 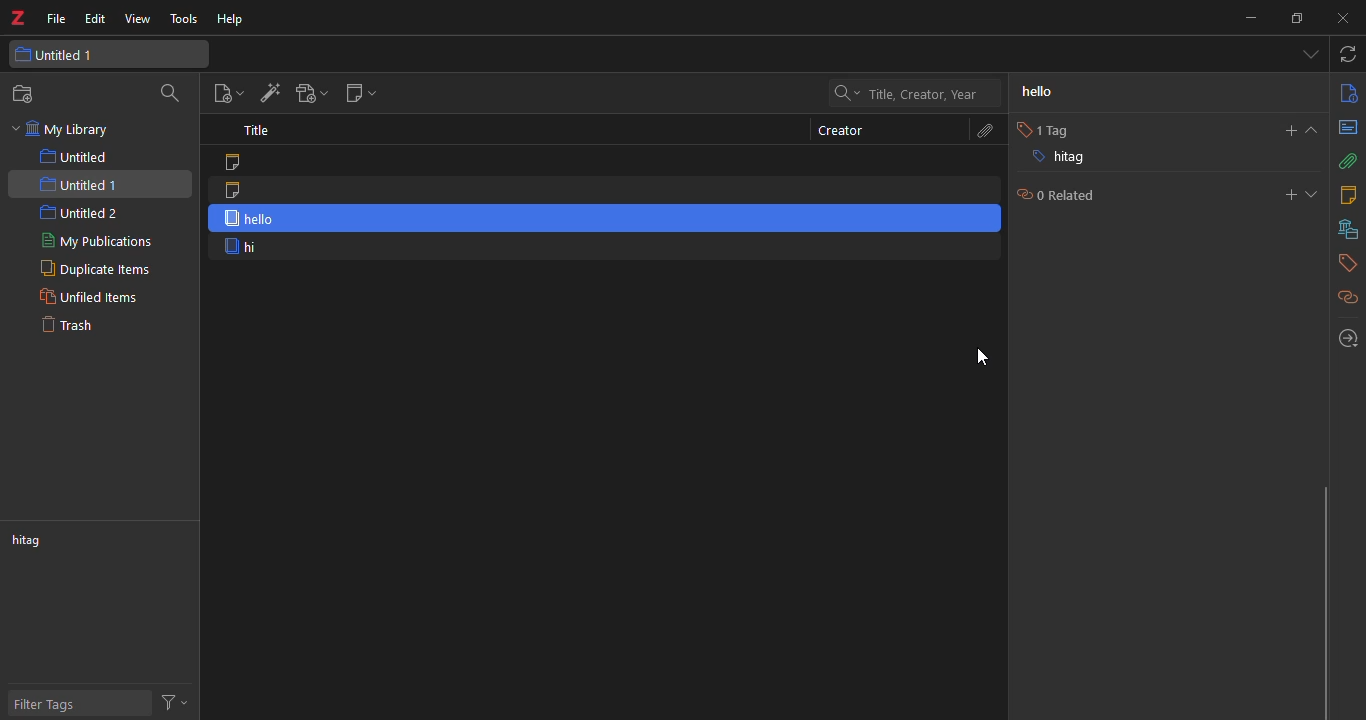 I want to click on add attach, so click(x=313, y=93).